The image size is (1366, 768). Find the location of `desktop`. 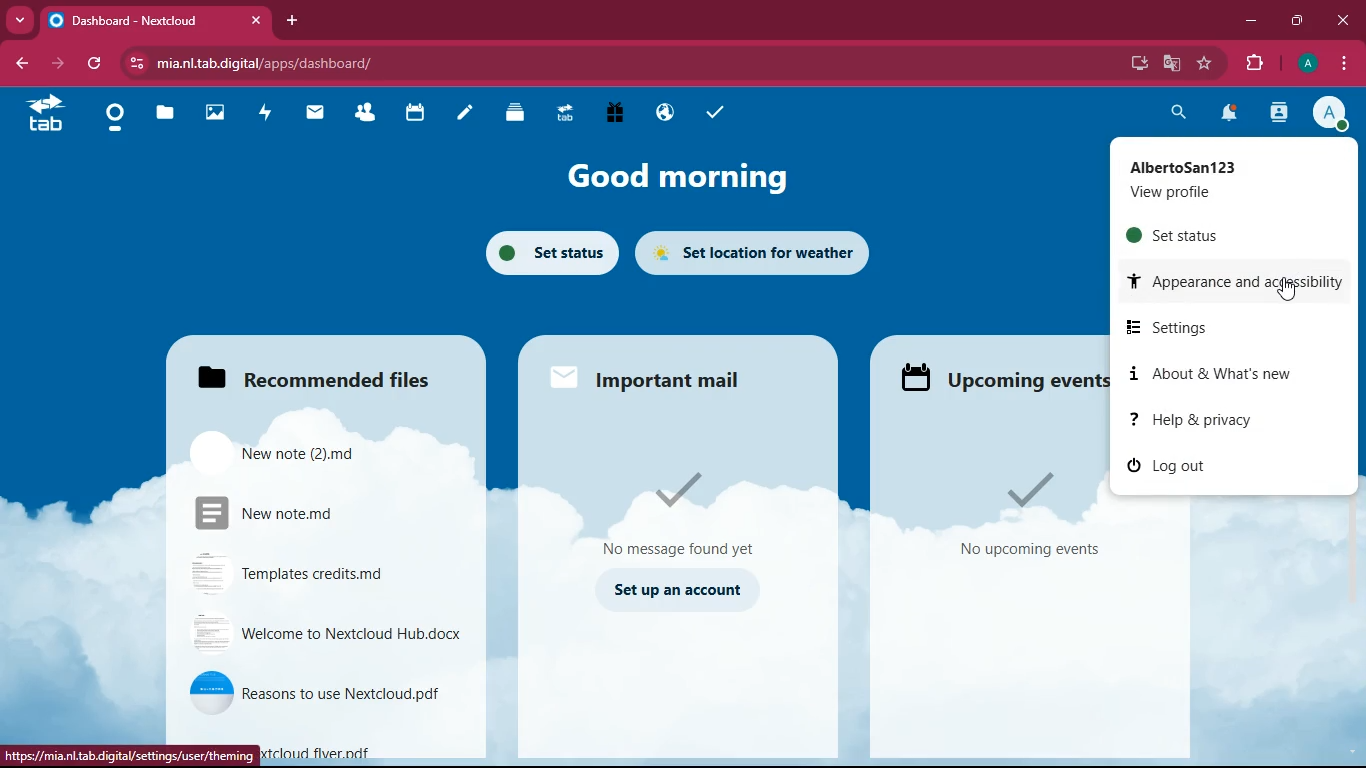

desktop is located at coordinates (1135, 64).